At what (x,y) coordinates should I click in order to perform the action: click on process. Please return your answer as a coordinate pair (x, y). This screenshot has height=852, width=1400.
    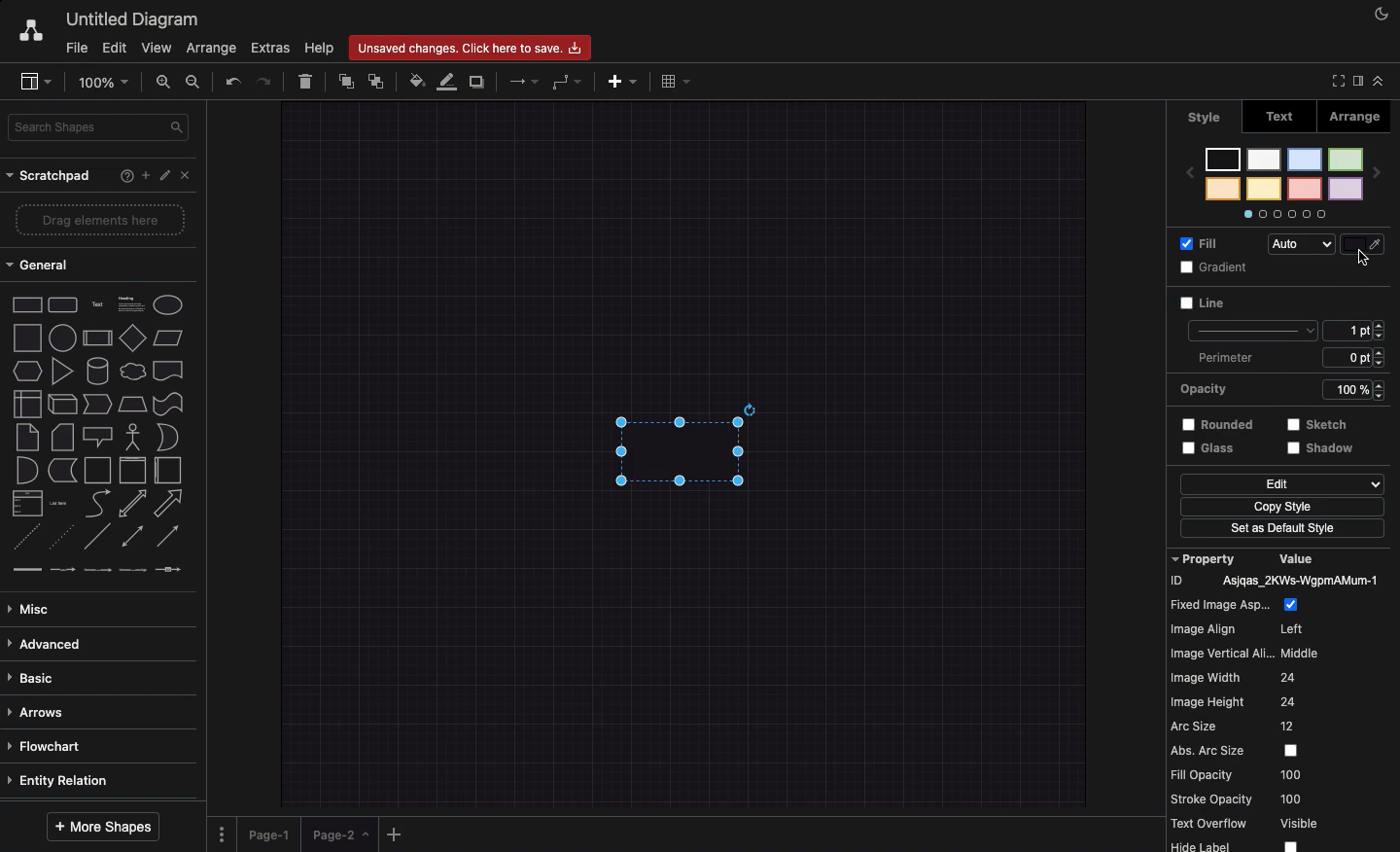
    Looking at the image, I should click on (96, 338).